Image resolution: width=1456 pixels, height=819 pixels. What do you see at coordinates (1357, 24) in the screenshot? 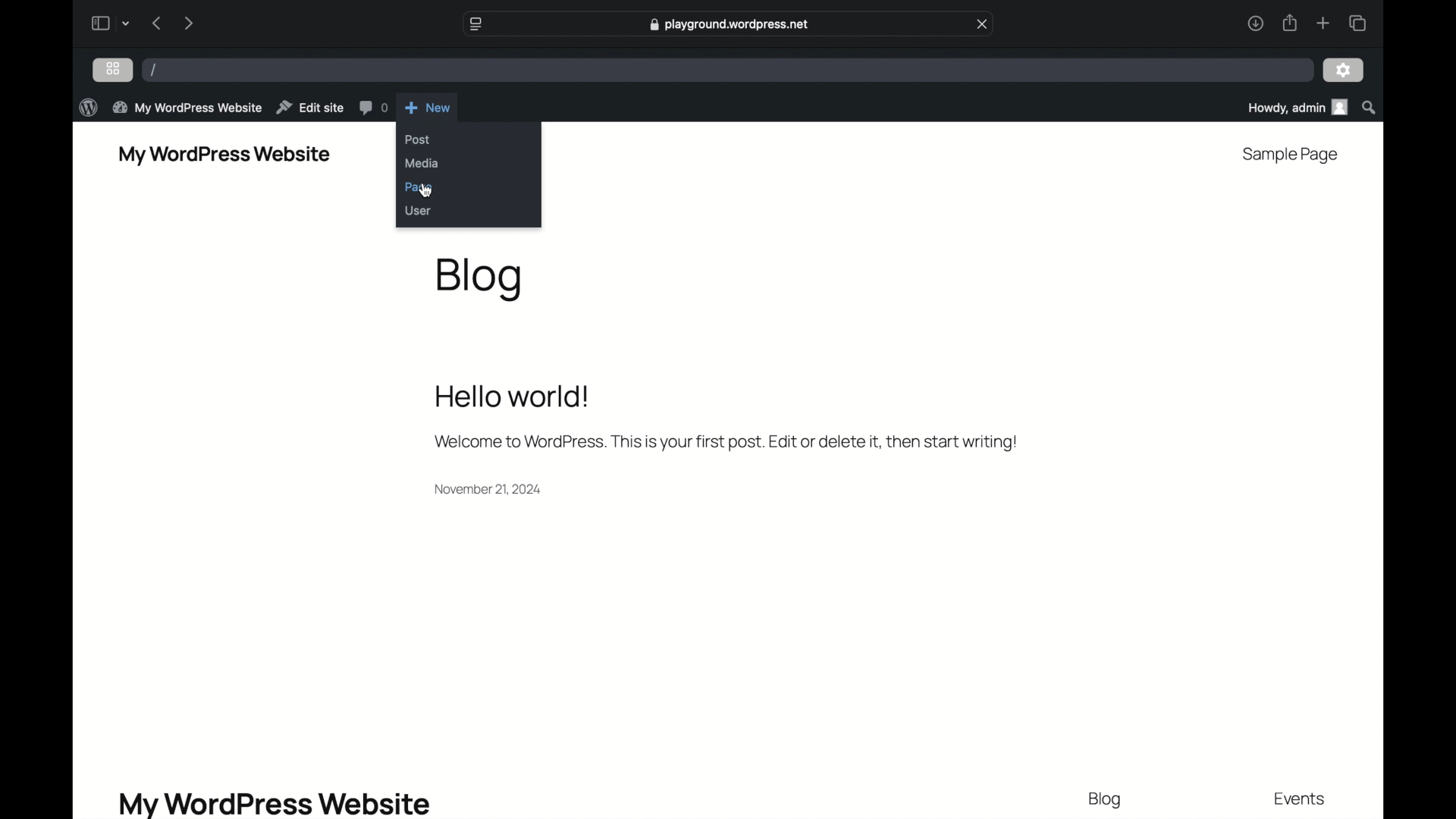
I see `show tab overview` at bounding box center [1357, 24].